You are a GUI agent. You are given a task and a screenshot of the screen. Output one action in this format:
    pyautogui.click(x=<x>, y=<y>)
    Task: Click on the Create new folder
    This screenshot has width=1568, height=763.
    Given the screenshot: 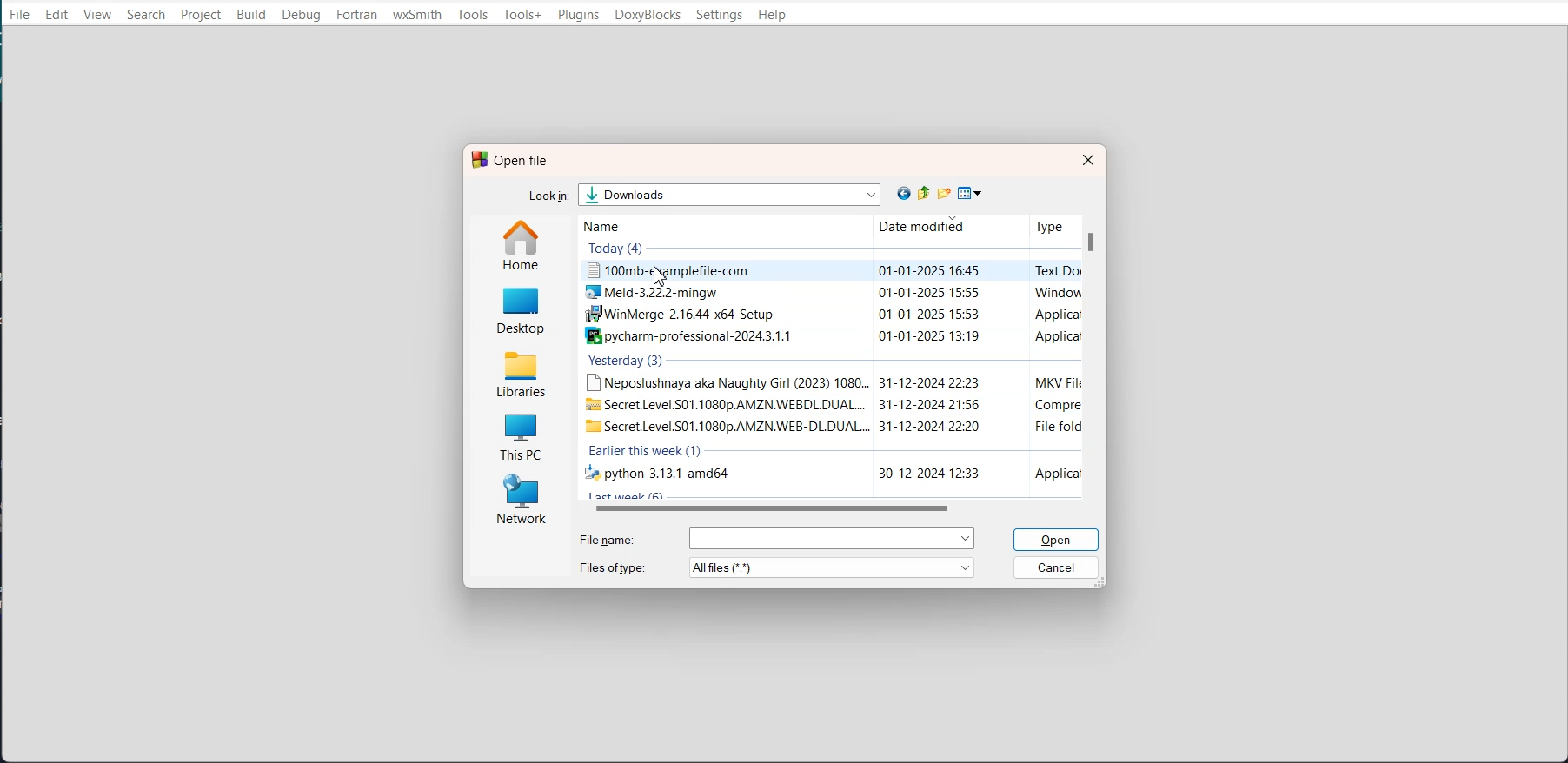 What is the action you would take?
    pyautogui.click(x=947, y=193)
    